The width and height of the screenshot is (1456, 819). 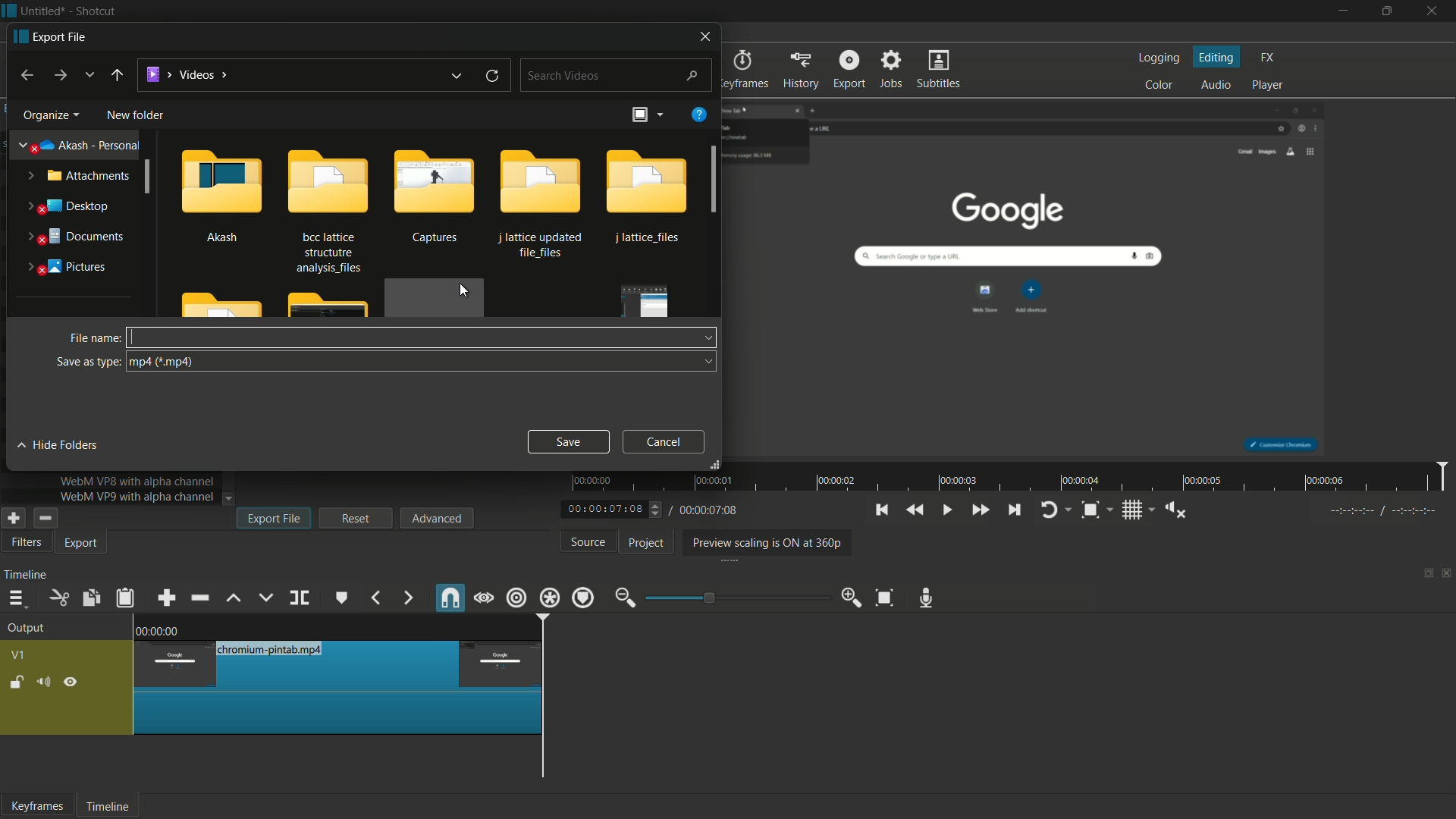 I want to click on overwrite, so click(x=265, y=598).